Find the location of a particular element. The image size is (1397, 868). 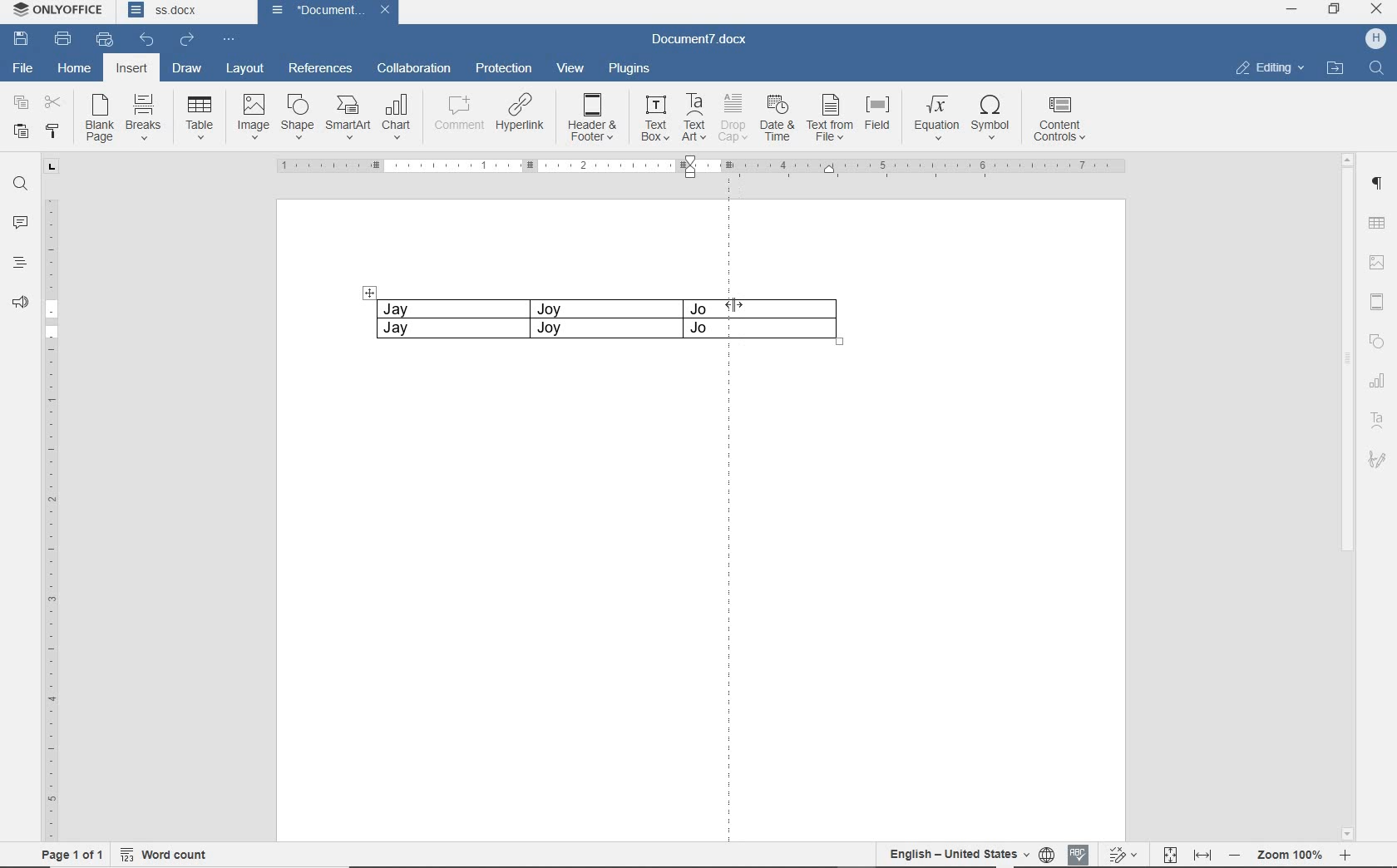

FIND is located at coordinates (1377, 71).